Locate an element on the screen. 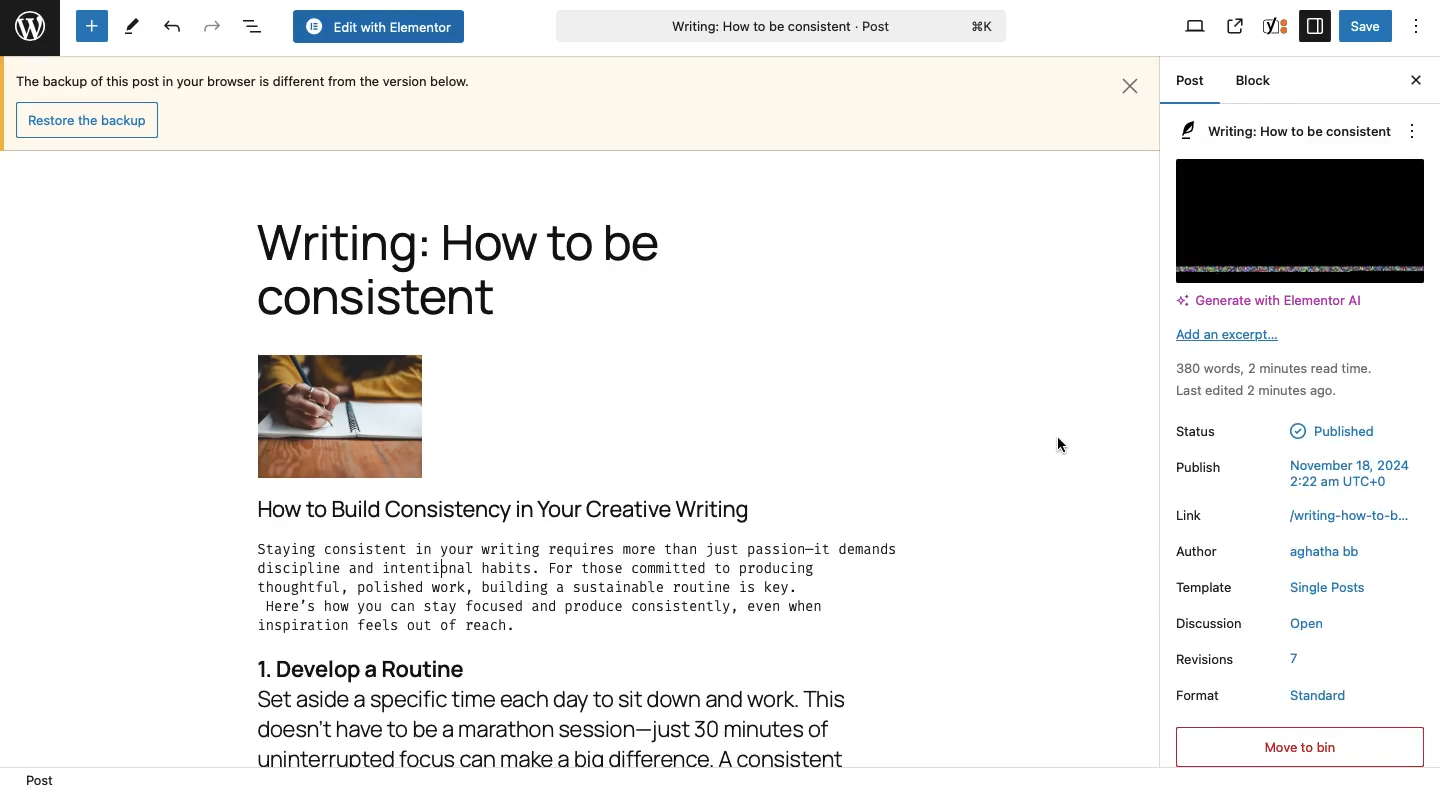 Image resolution: width=1440 pixels, height=792 pixels. Status Published is located at coordinates (1297, 429).